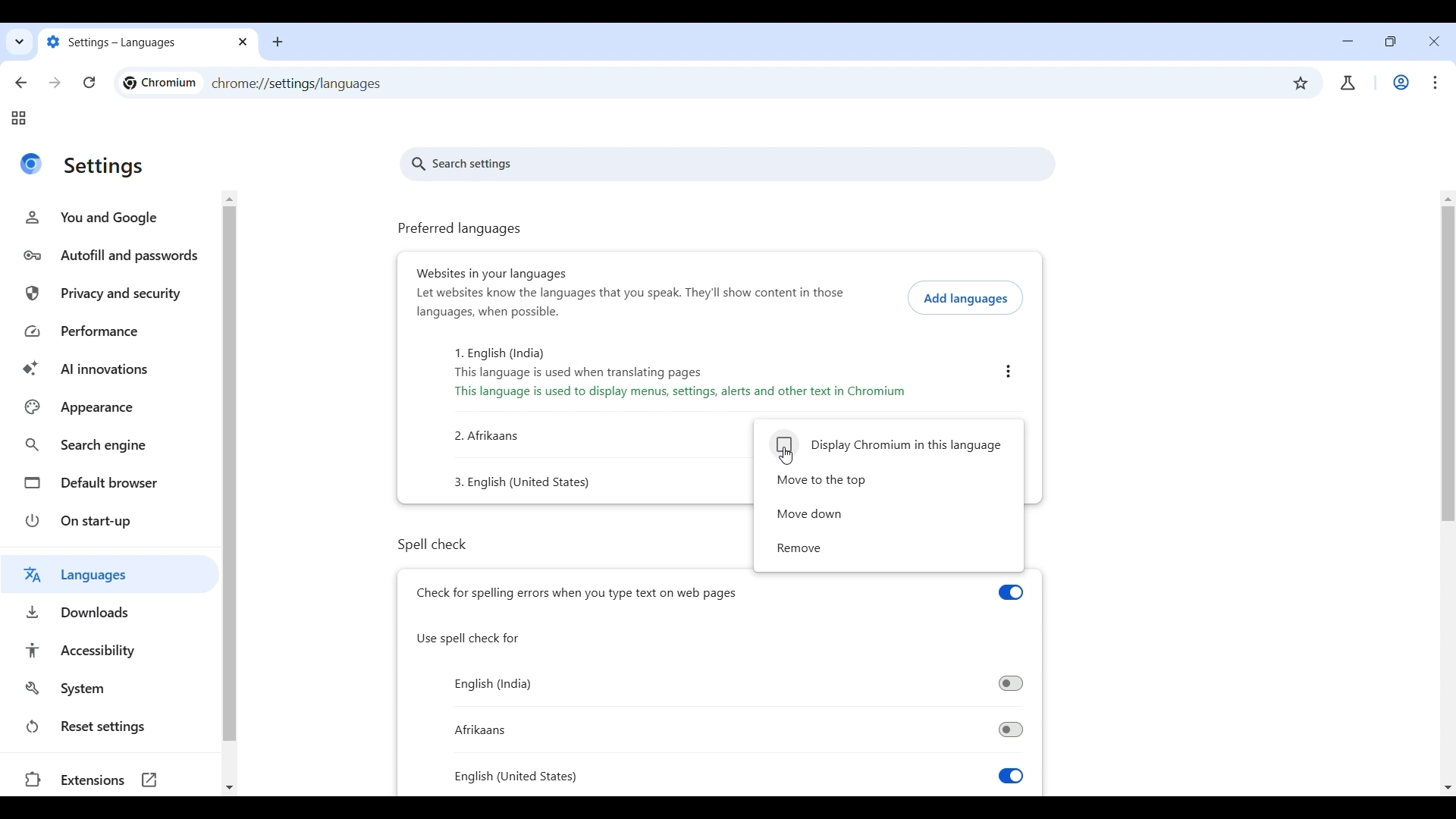  What do you see at coordinates (113, 446) in the screenshot?
I see `Search engine` at bounding box center [113, 446].